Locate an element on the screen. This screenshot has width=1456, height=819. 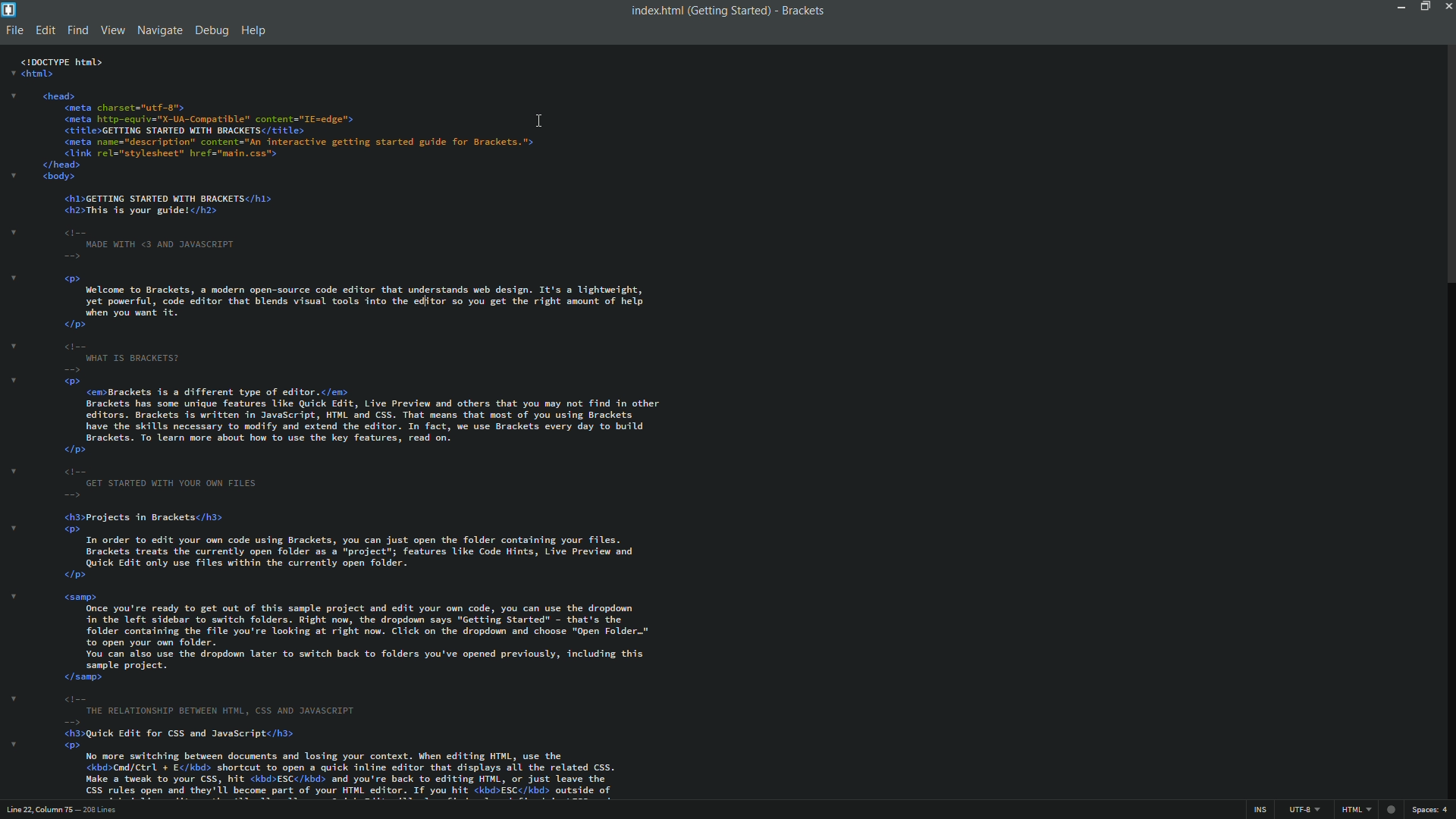
<1DOCTYPE html>
<html>
<head>
<meta charset="utf-8">
<meta http-equive"X-UA-Compatible" content="IE=edge">
<title>GETTING STARTED WITH BRACKETS</title>
<meta names"description" contents"An interactive getting started guide for Brackets.">
<link rel="stylesheet" hrefs"main.css">
</head>
<body>
<h1>GETTING STARTED WITH BRACKETS</h1>
<h2>This is your guide!</h2>
MADE WITH <3 AND JAVASCRIPT is located at coordinates (280, 159).